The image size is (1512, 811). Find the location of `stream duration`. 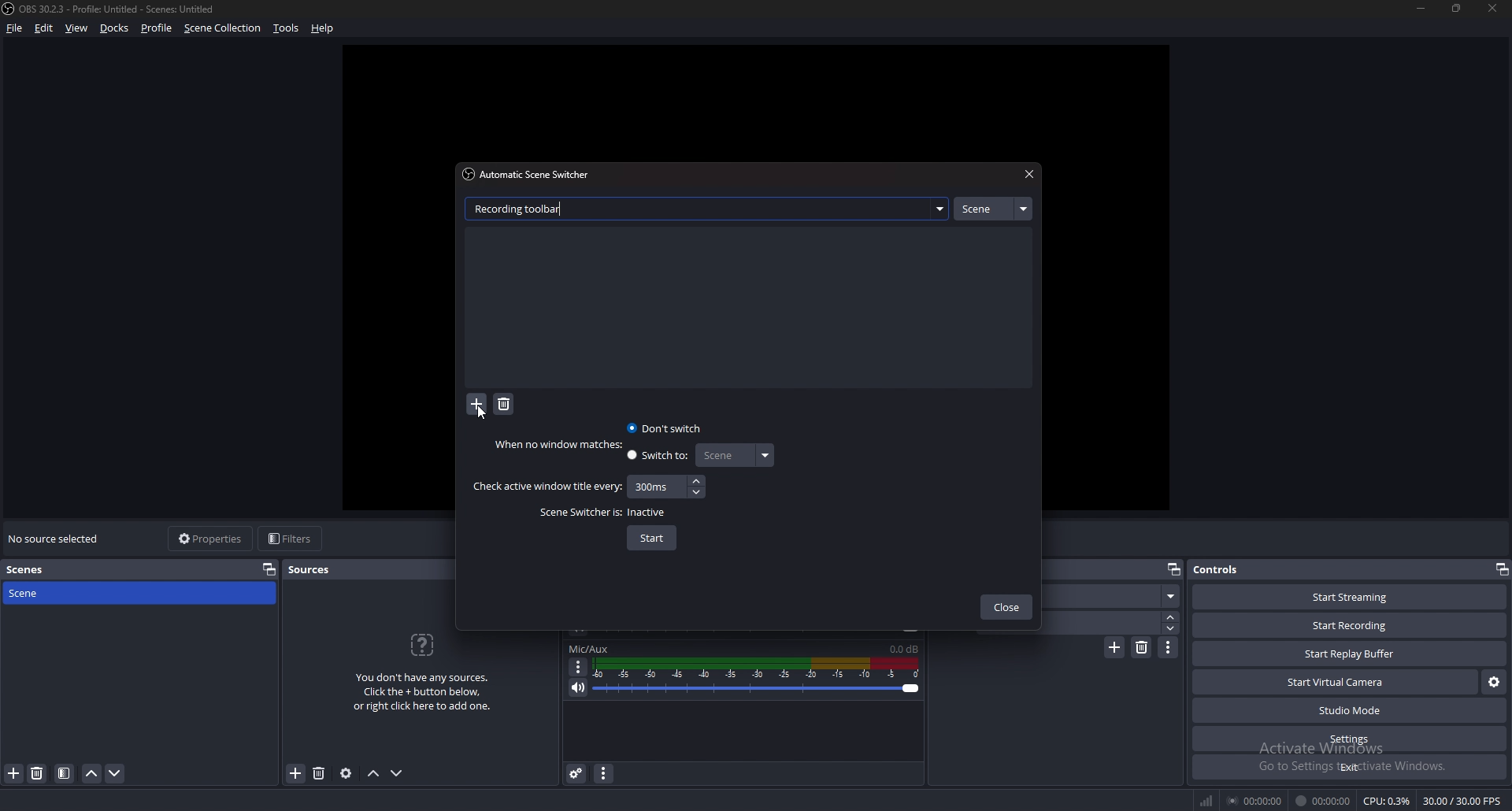

stream duration is located at coordinates (1256, 800).